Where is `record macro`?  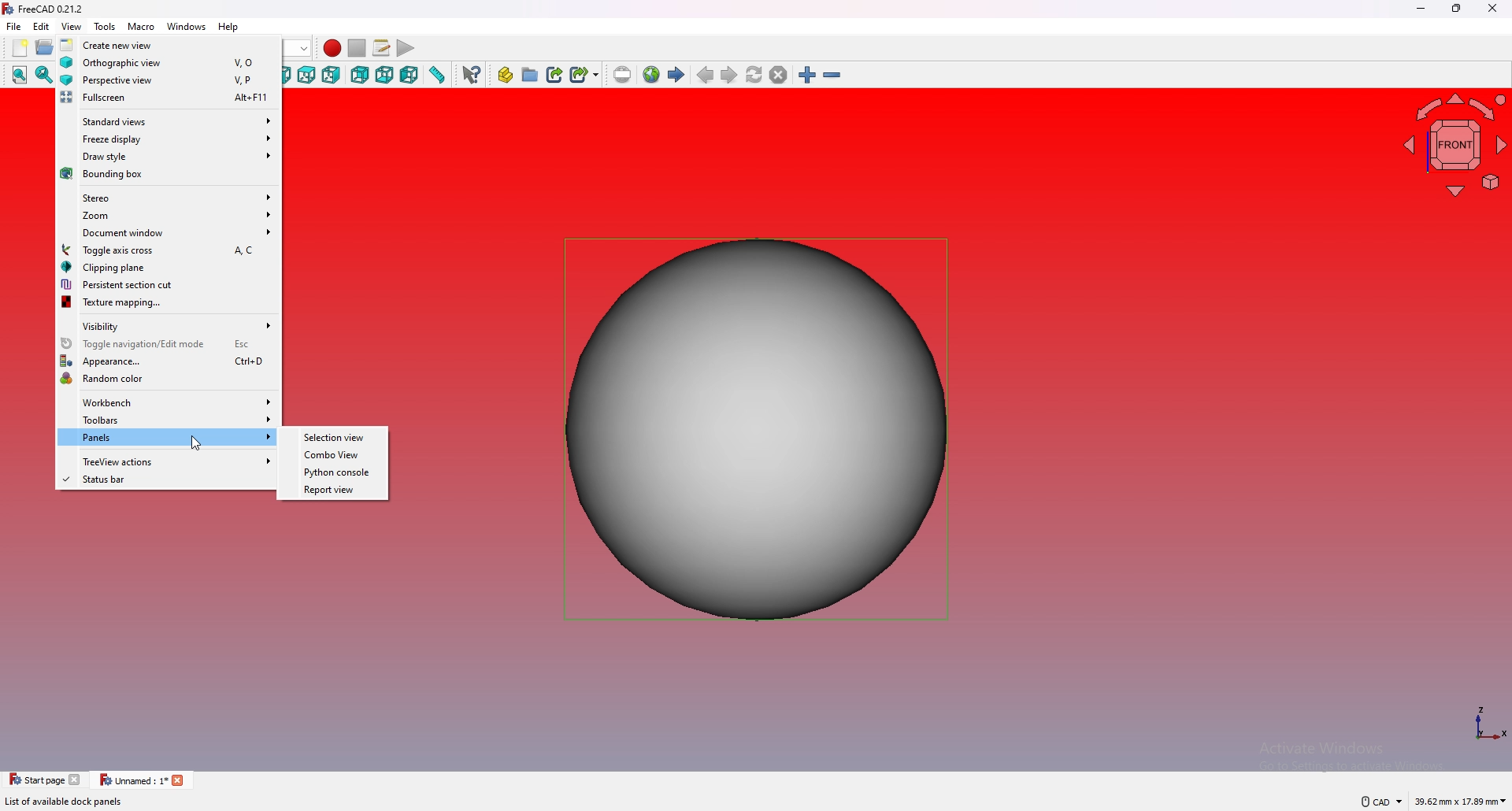
record macro is located at coordinates (332, 48).